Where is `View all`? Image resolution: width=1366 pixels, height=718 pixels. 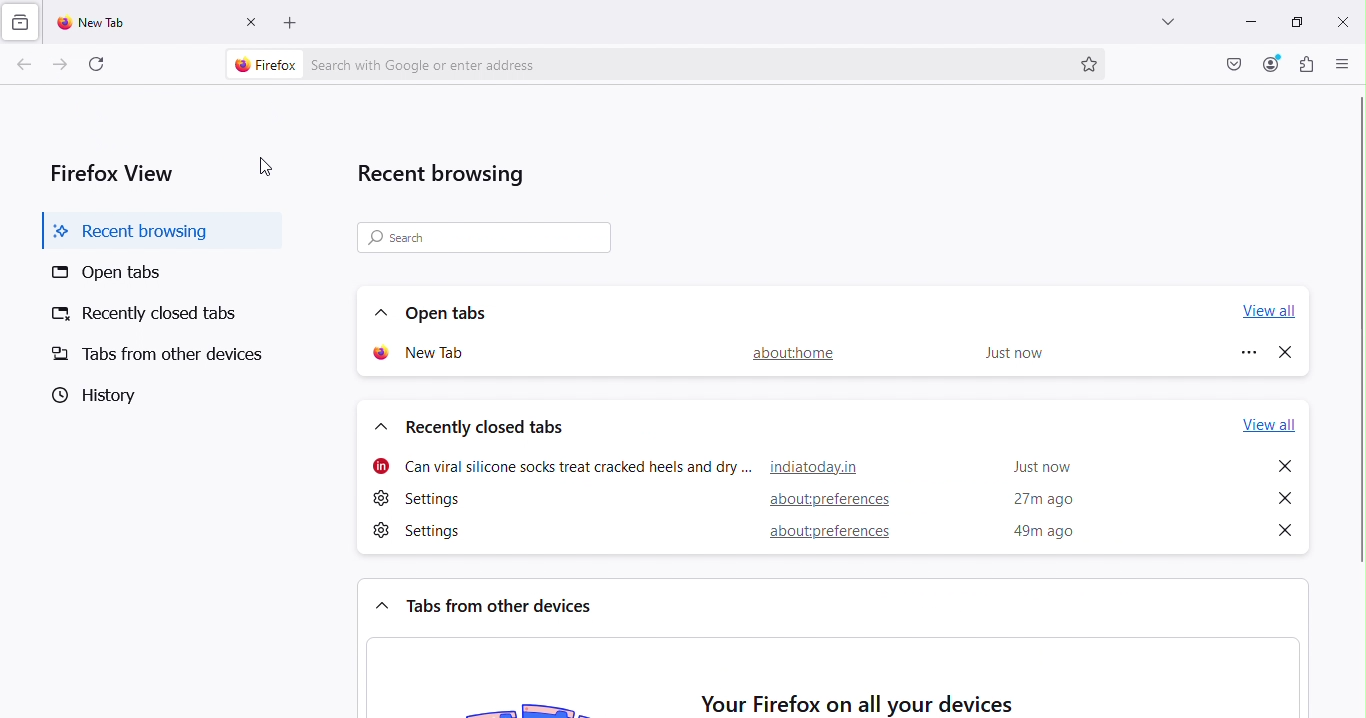
View all is located at coordinates (1269, 306).